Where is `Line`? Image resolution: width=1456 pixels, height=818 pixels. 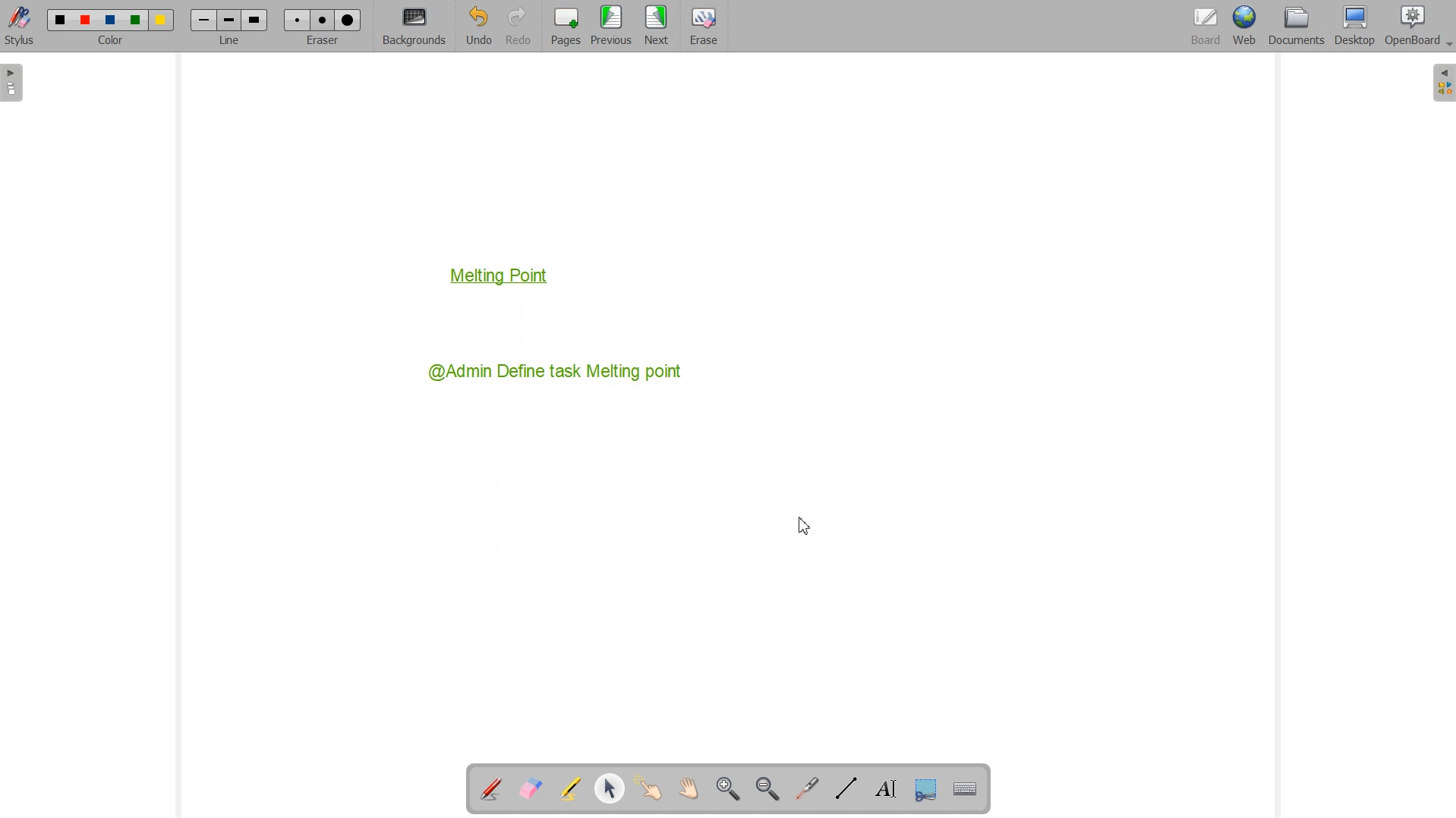
Line is located at coordinates (228, 27).